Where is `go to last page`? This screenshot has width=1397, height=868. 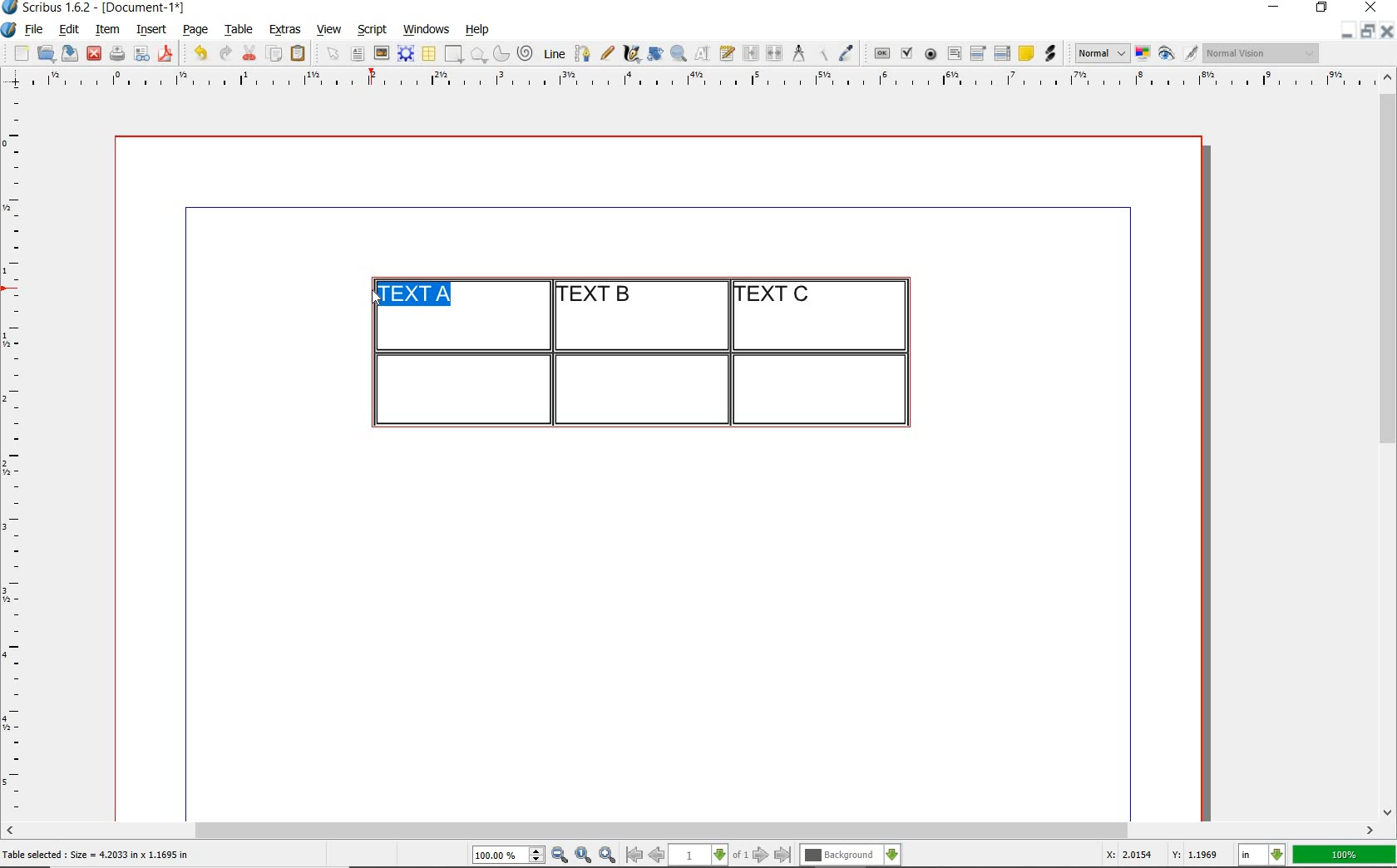
go to last page is located at coordinates (783, 856).